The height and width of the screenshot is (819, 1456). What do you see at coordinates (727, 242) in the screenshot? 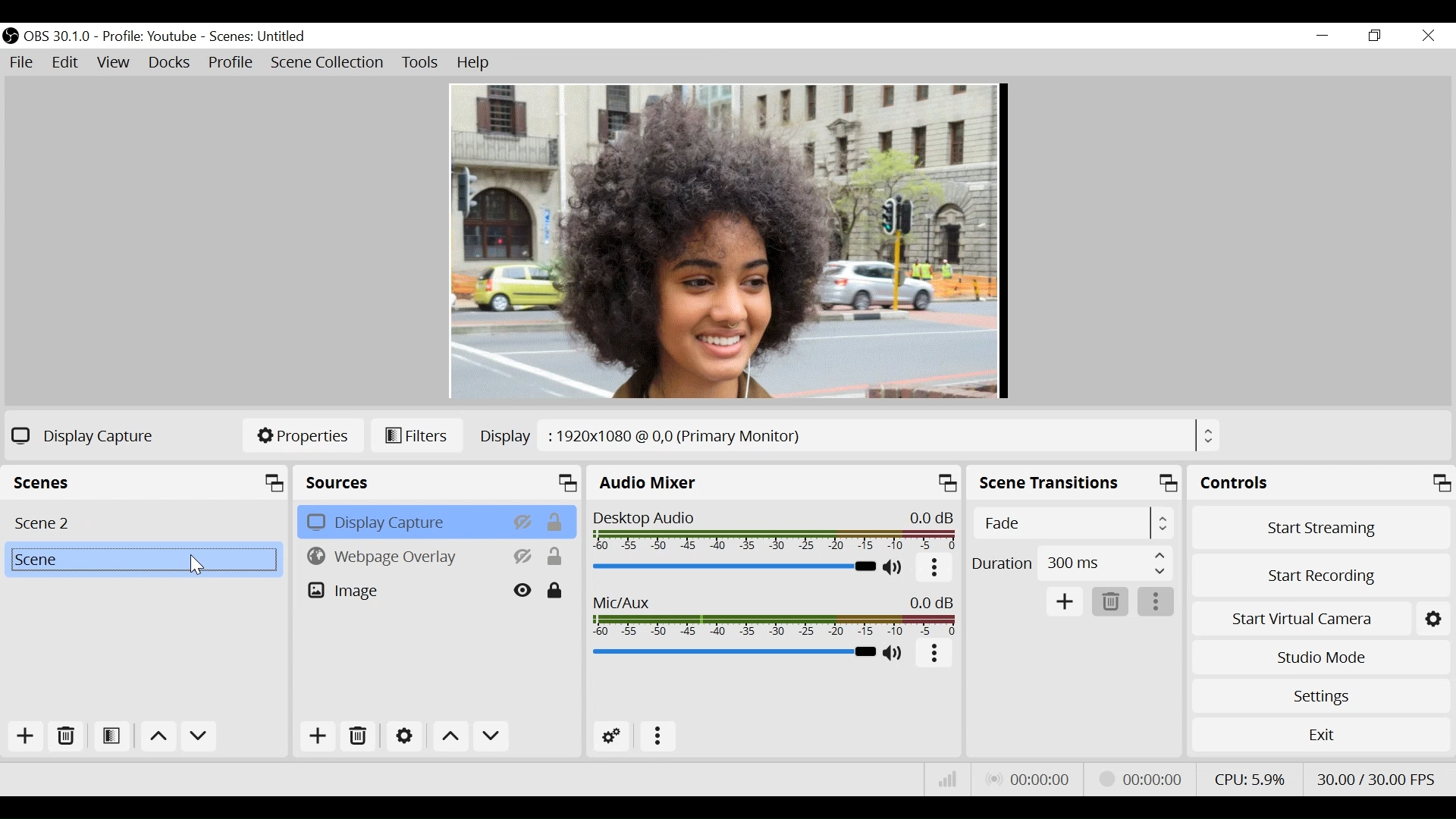
I see `Preview` at bounding box center [727, 242].